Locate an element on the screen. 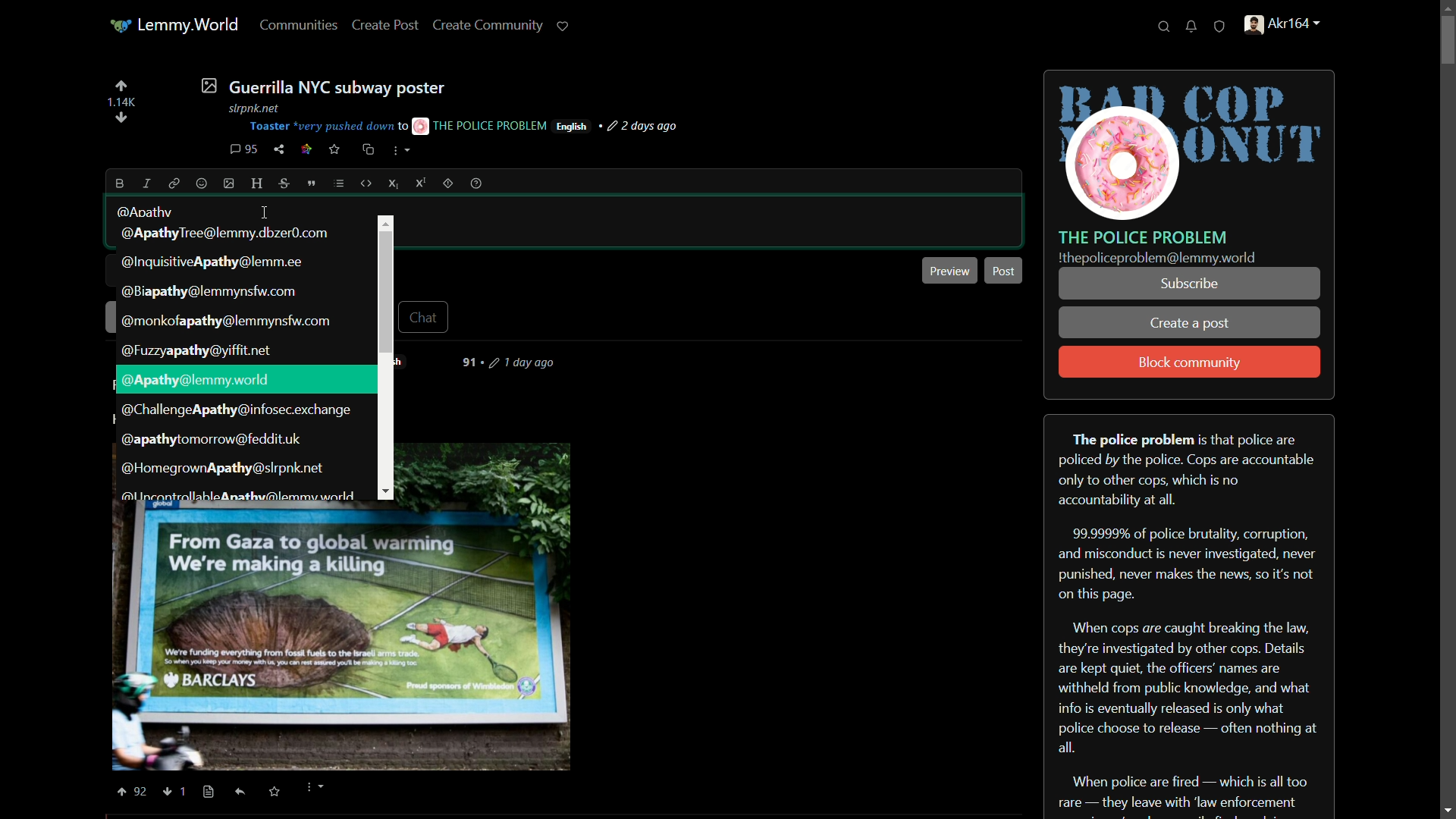  suggestion-3 is located at coordinates (208, 293).